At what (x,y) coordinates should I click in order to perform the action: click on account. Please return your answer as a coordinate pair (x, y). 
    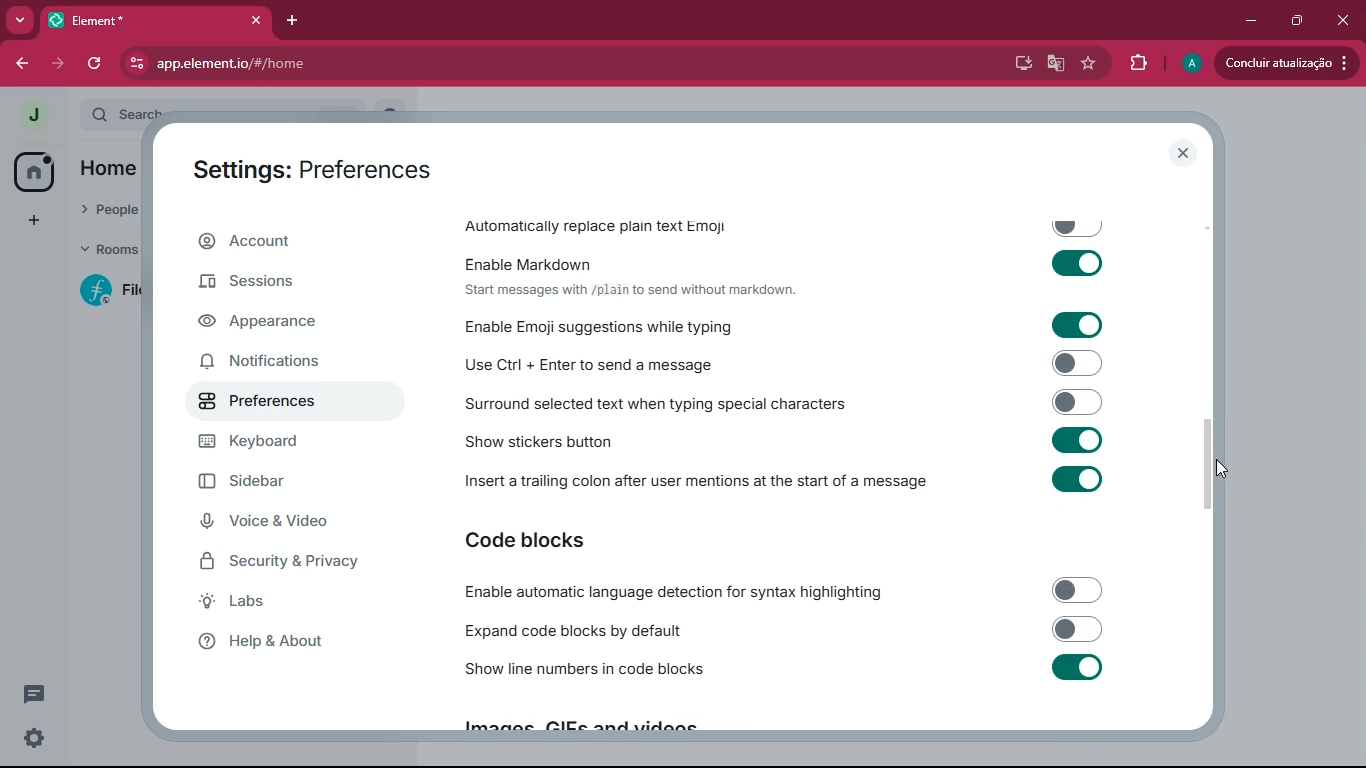
    Looking at the image, I should click on (299, 241).